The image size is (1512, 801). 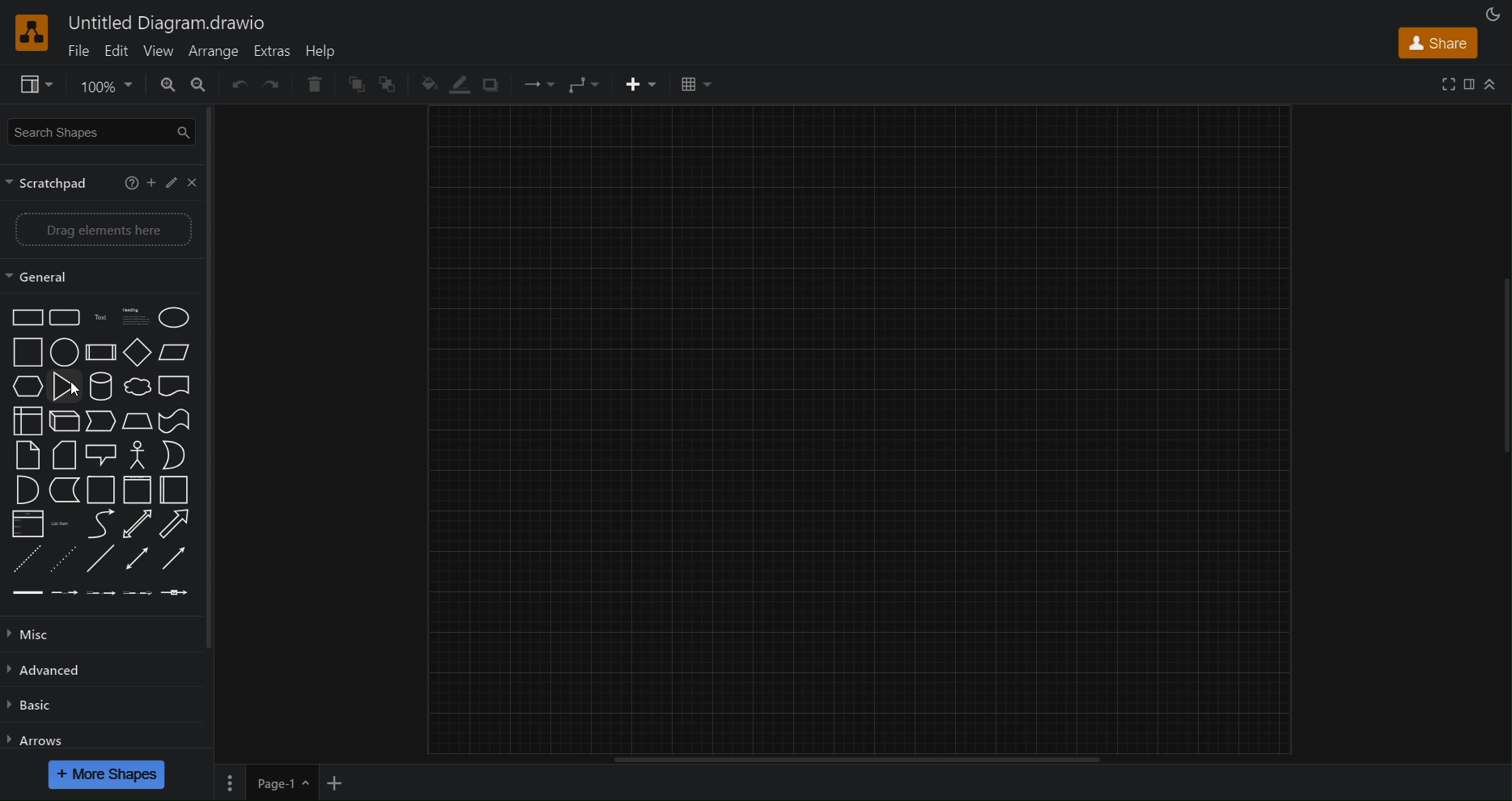 I want to click on View, so click(x=159, y=50).